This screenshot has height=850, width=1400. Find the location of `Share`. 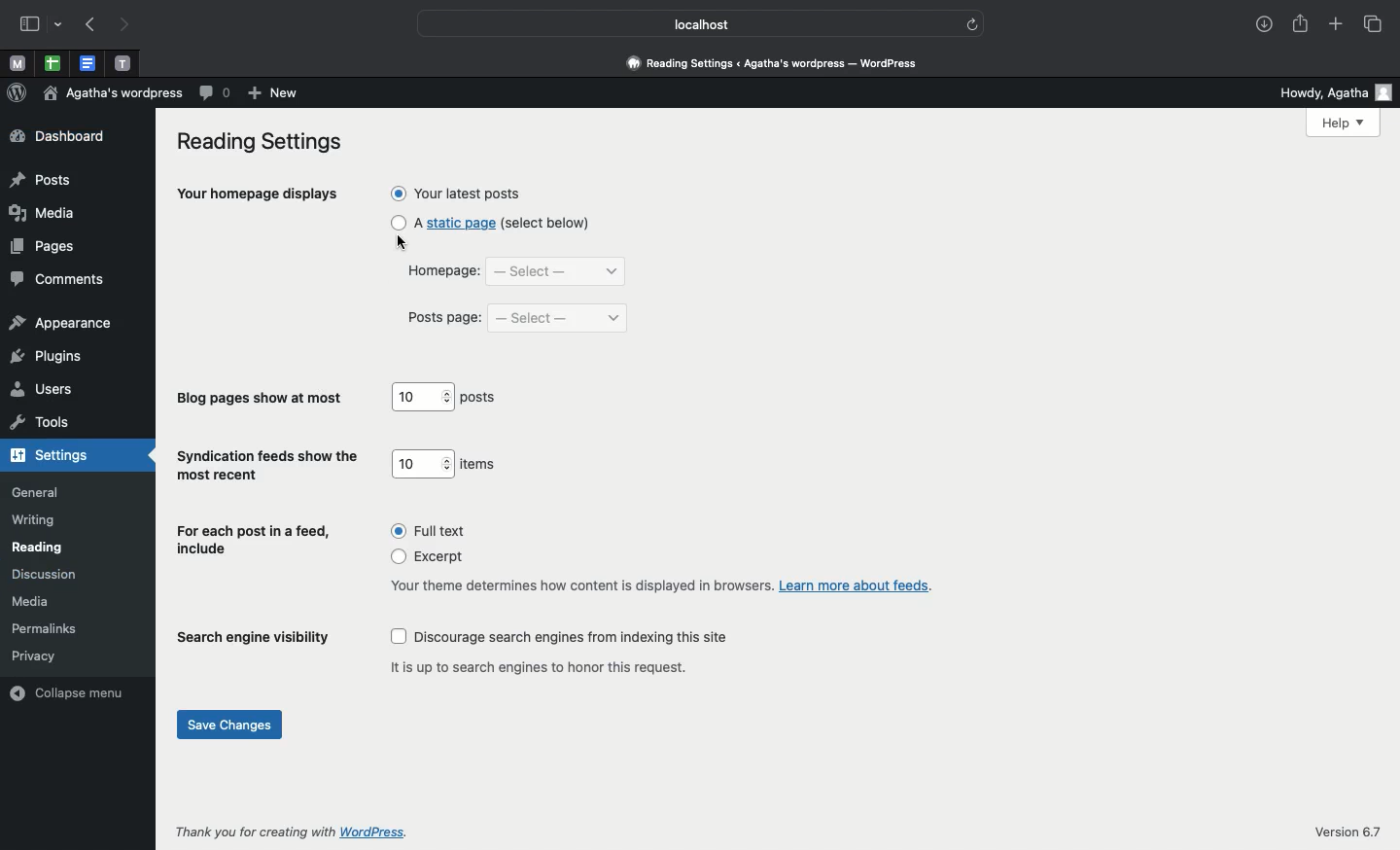

Share is located at coordinates (1297, 21).